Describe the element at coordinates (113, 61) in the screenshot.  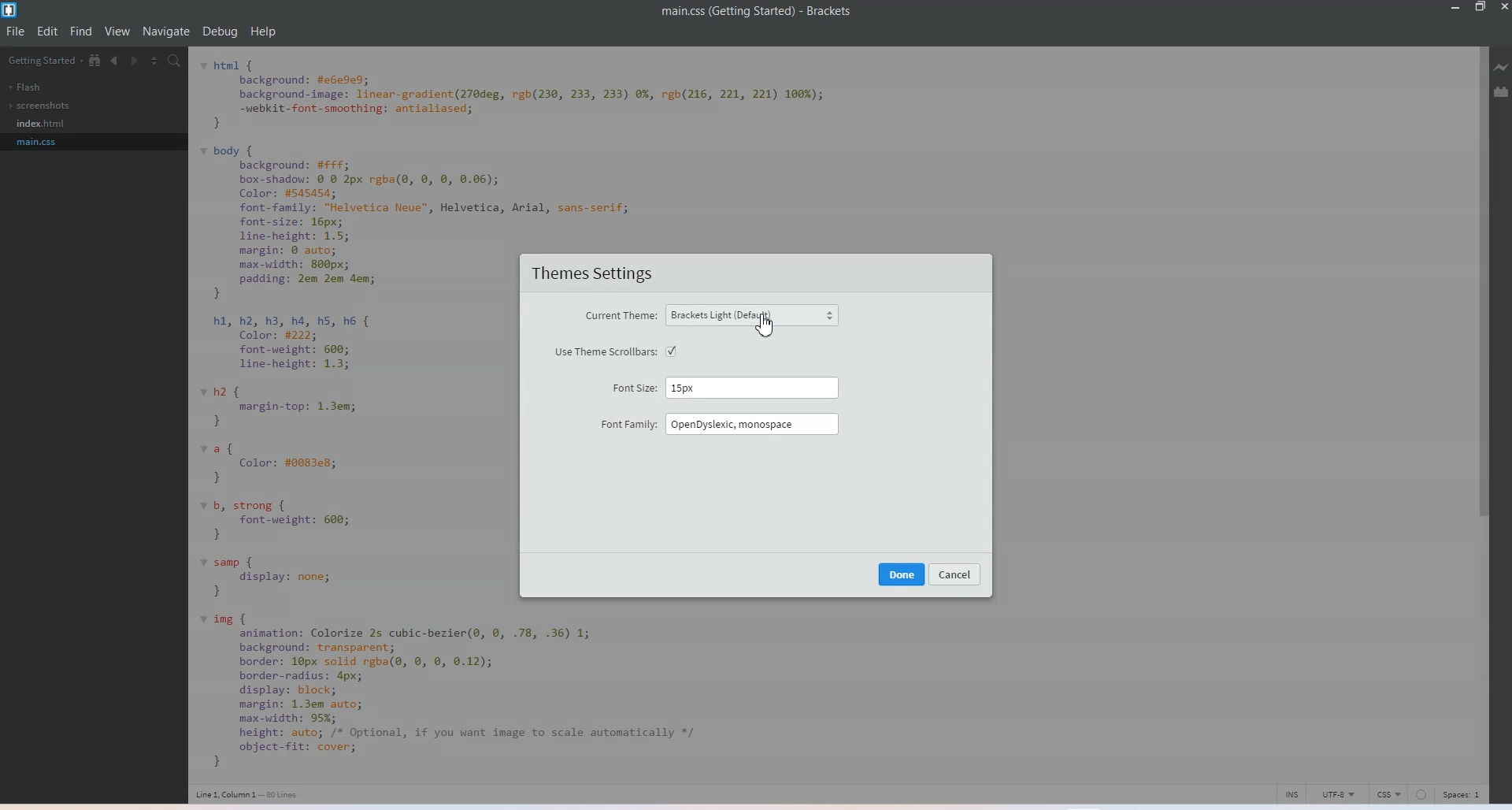
I see `Navigate Backwards` at that location.